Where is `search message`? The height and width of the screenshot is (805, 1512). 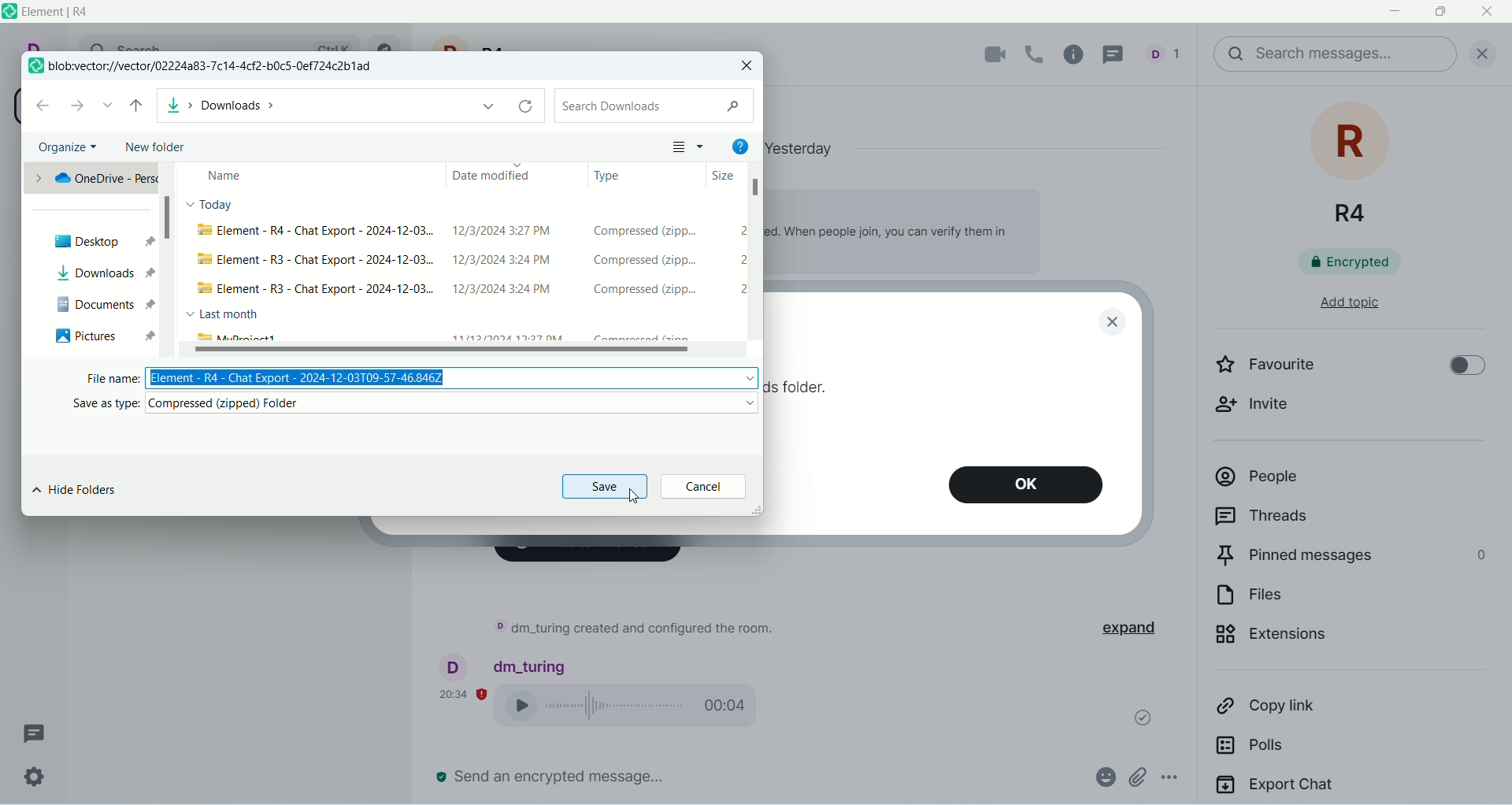
search message is located at coordinates (1334, 54).